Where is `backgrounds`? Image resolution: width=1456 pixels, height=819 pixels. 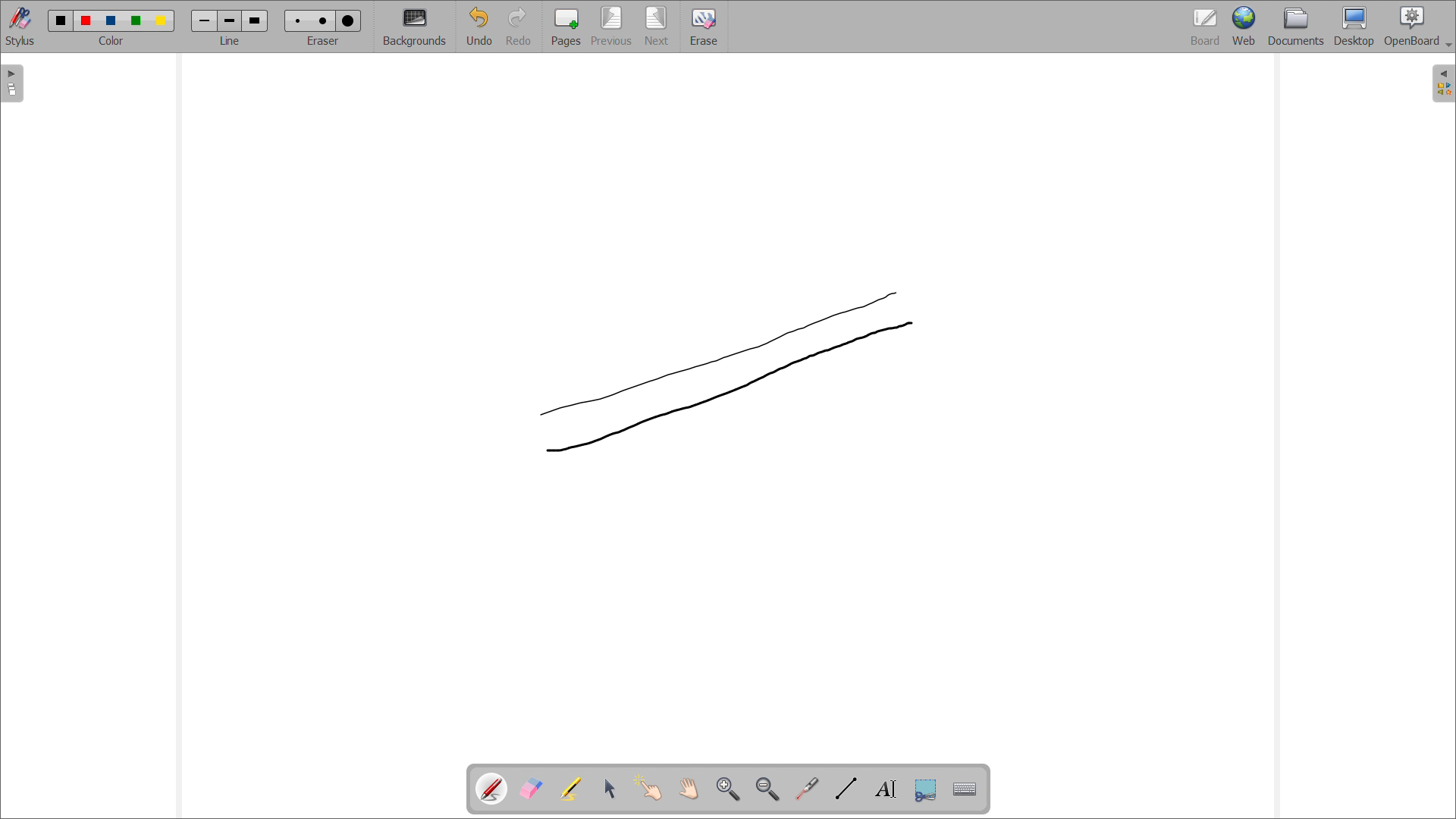 backgrounds is located at coordinates (415, 26).